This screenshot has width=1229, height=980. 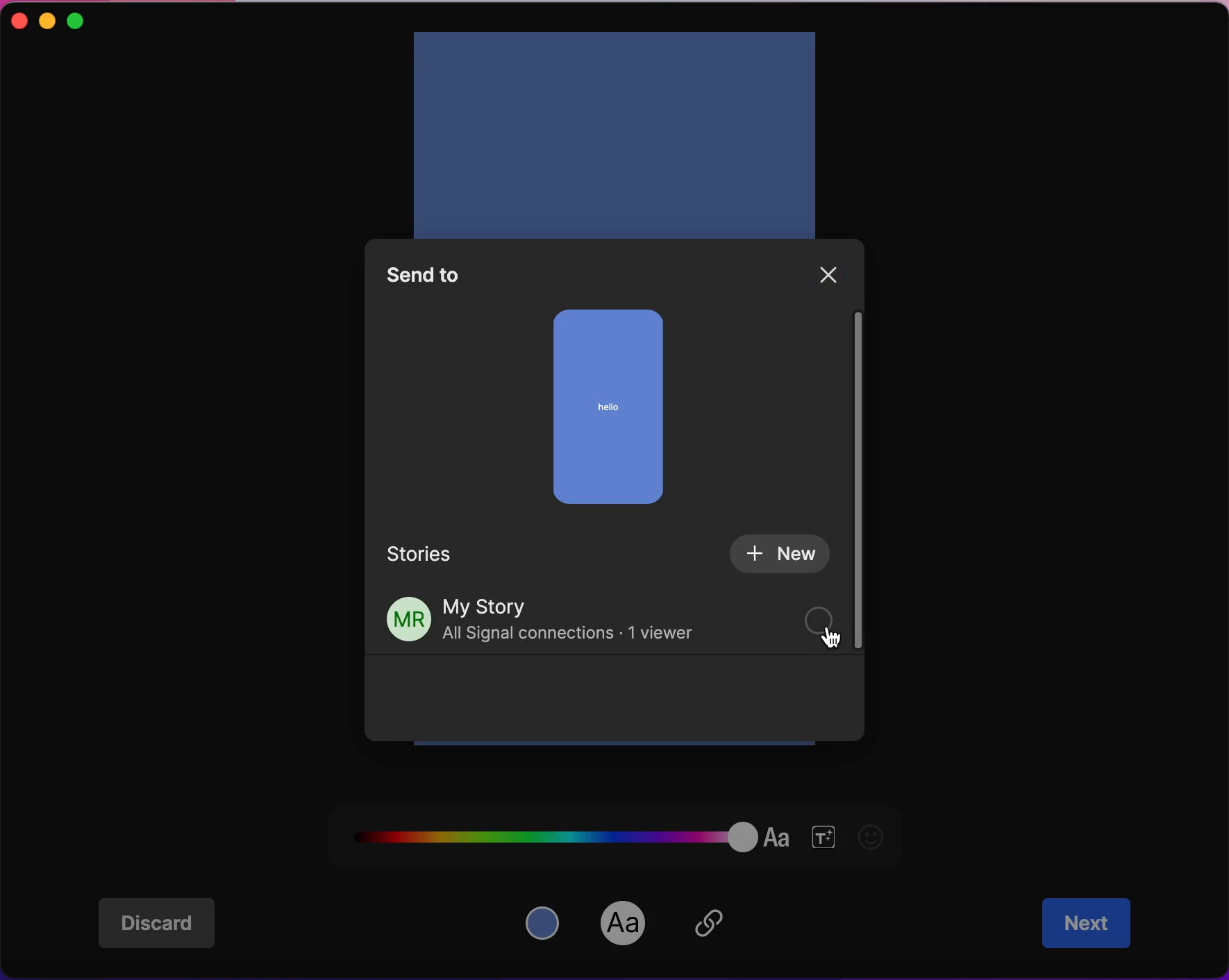 What do you see at coordinates (17, 22) in the screenshot?
I see `close` at bounding box center [17, 22].